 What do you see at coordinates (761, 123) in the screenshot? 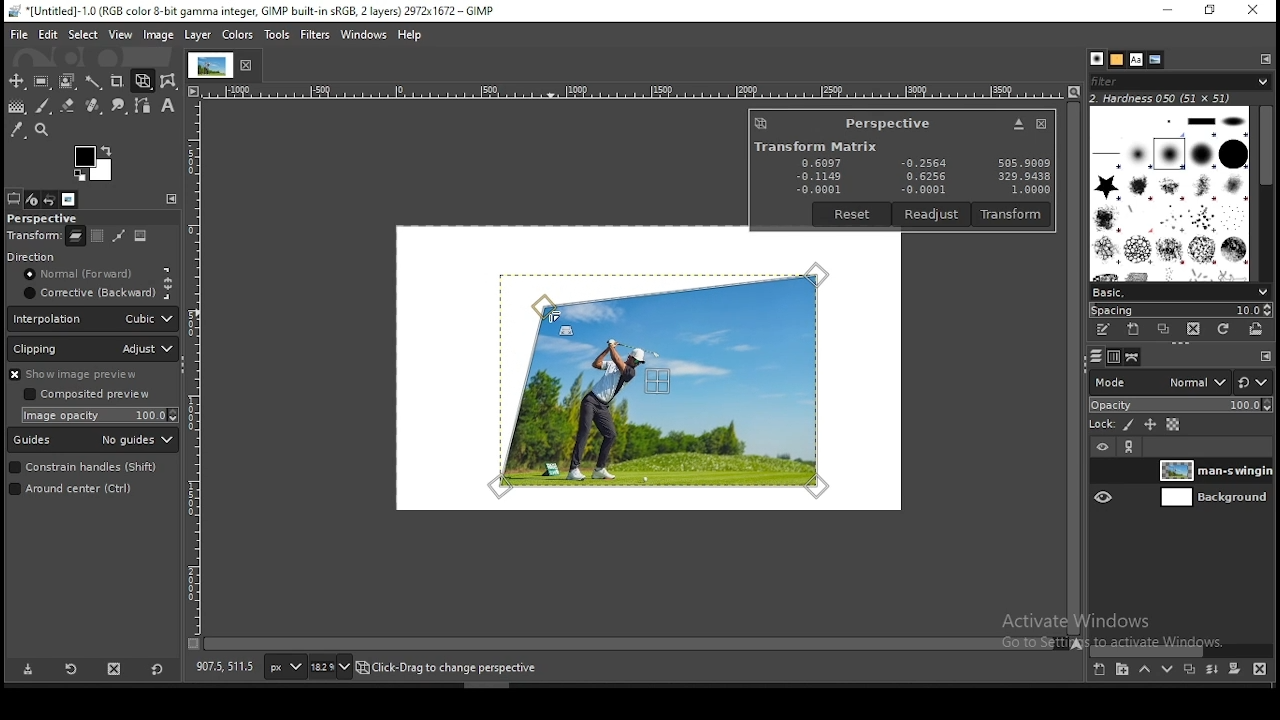
I see `logo` at bounding box center [761, 123].